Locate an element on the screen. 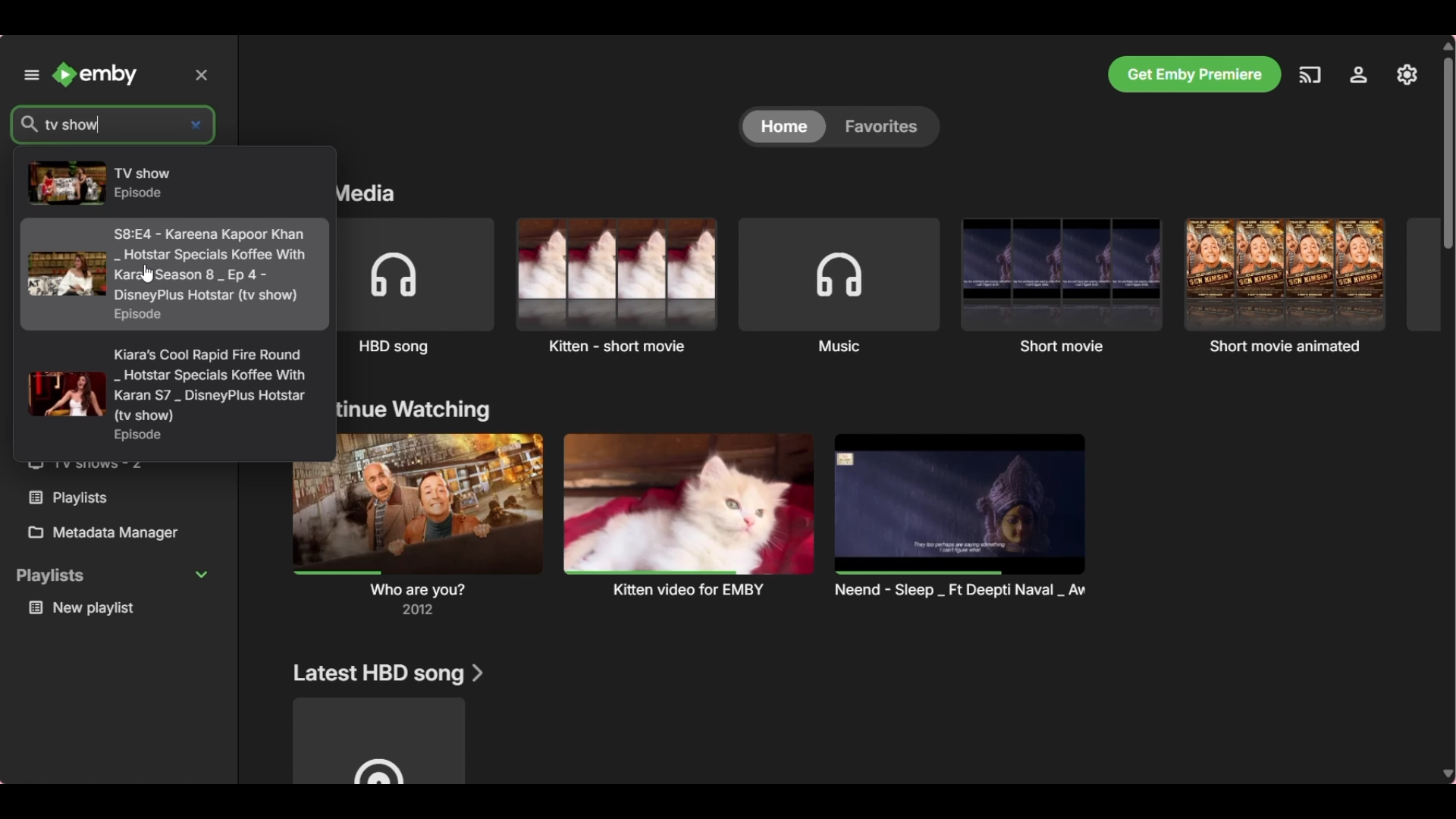 This screenshot has width=1456, height=819. Search query results with selected search result highlighted is located at coordinates (174, 303).